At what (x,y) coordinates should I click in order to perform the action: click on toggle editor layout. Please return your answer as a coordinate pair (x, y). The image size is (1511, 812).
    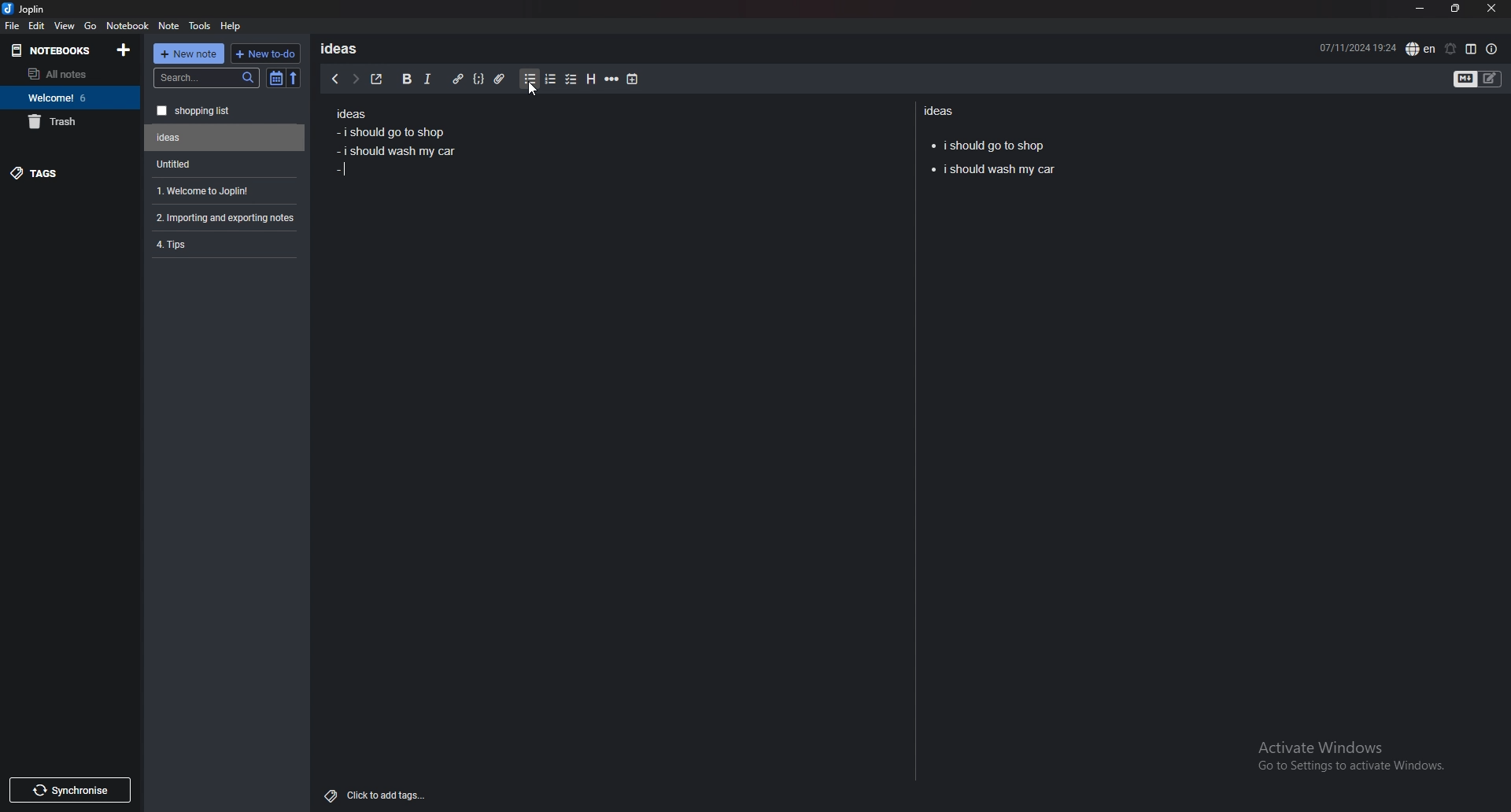
    Looking at the image, I should click on (1471, 49).